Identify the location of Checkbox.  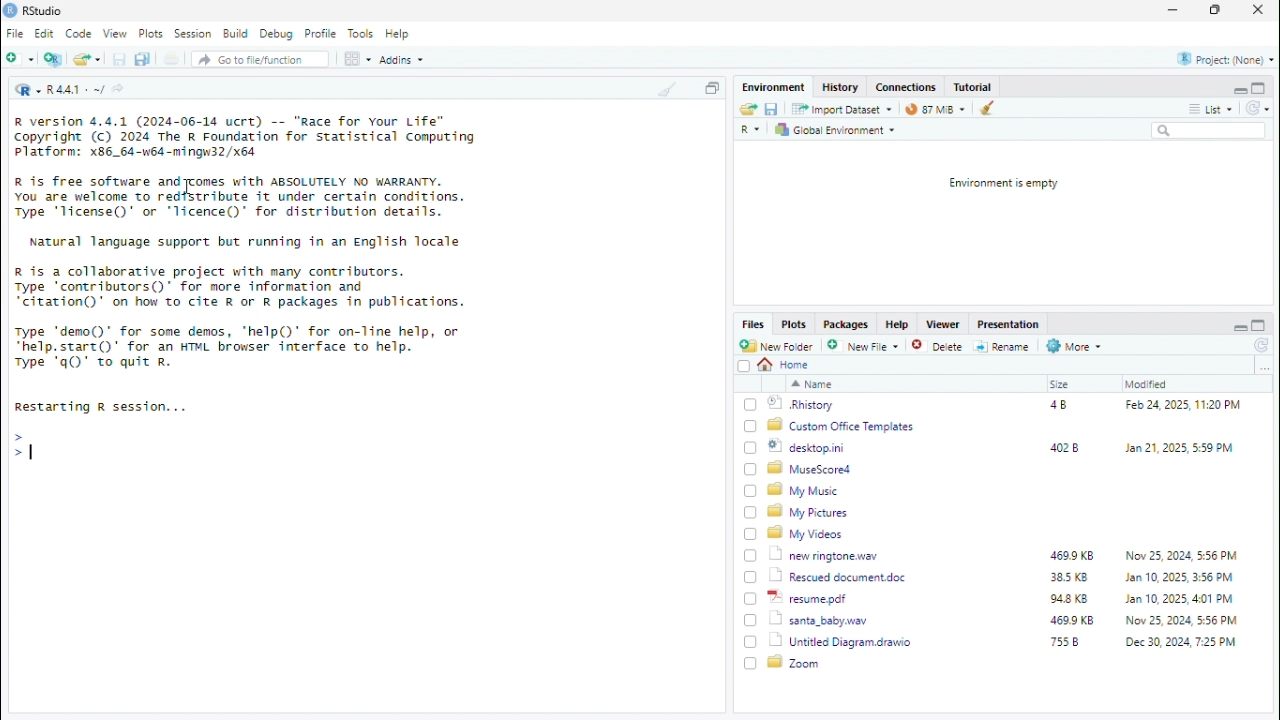
(751, 404).